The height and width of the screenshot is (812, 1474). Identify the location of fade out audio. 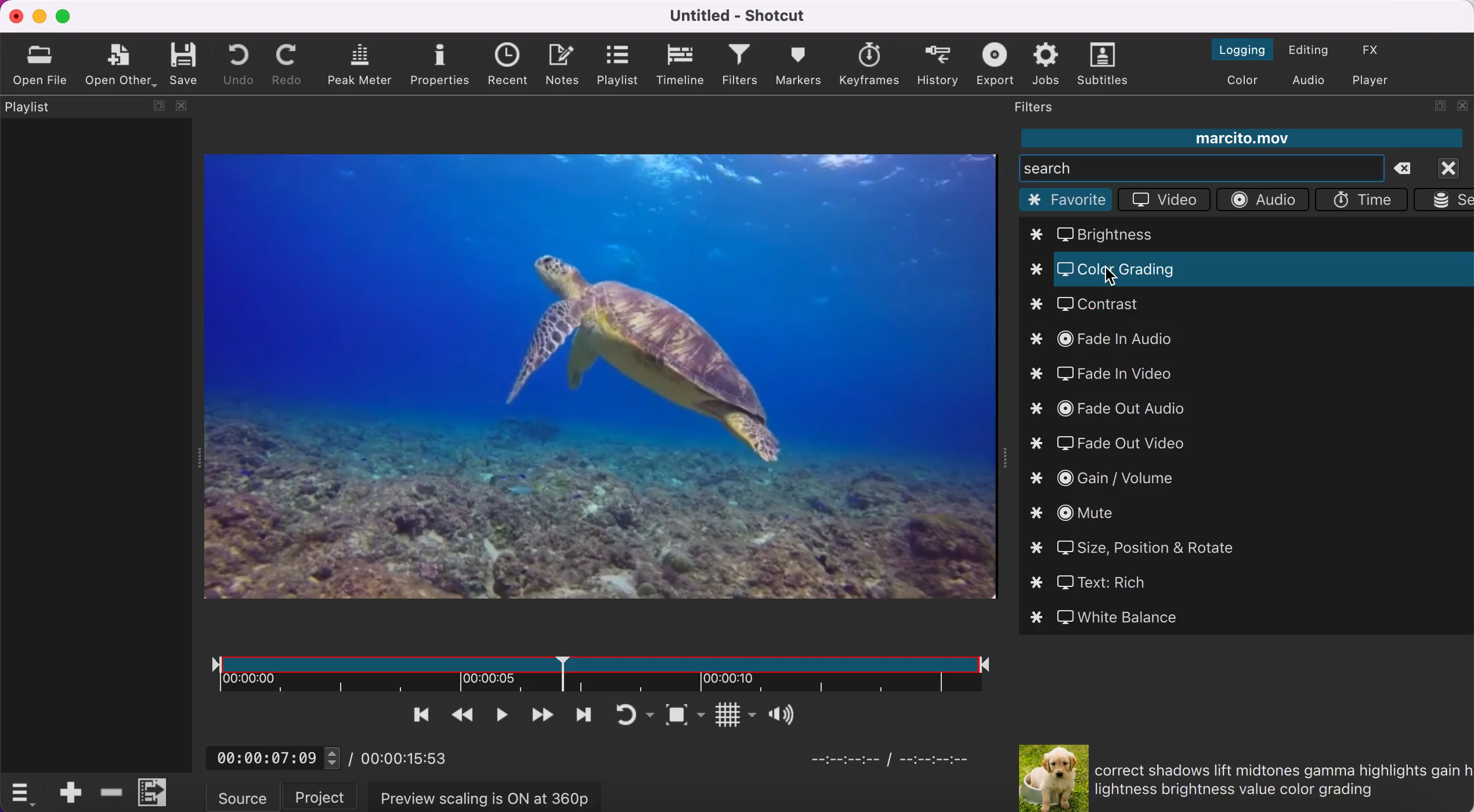
(1120, 408).